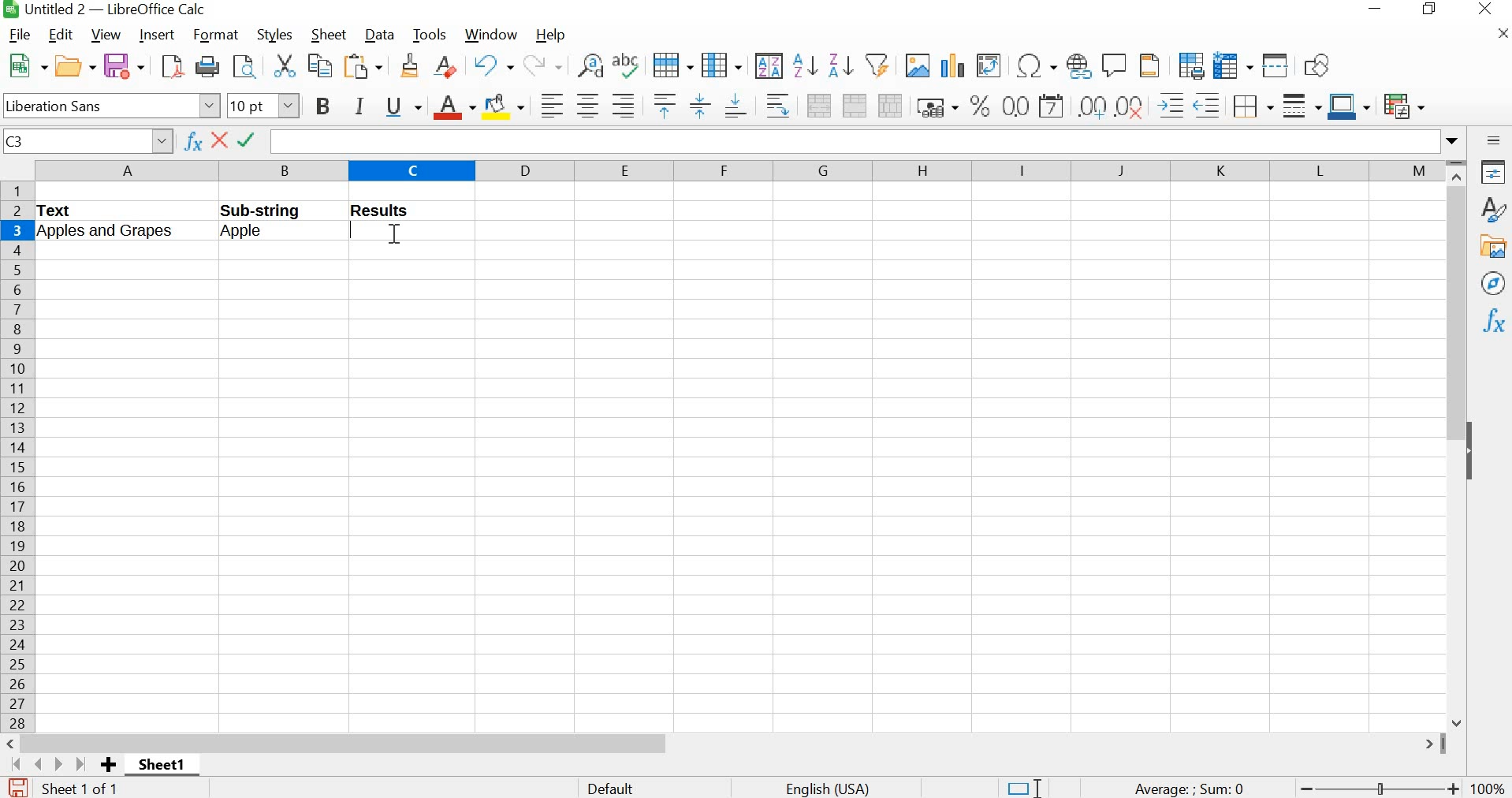 This screenshot has width=1512, height=798. Describe the element at coordinates (259, 233) in the screenshot. I see `Apple` at that location.